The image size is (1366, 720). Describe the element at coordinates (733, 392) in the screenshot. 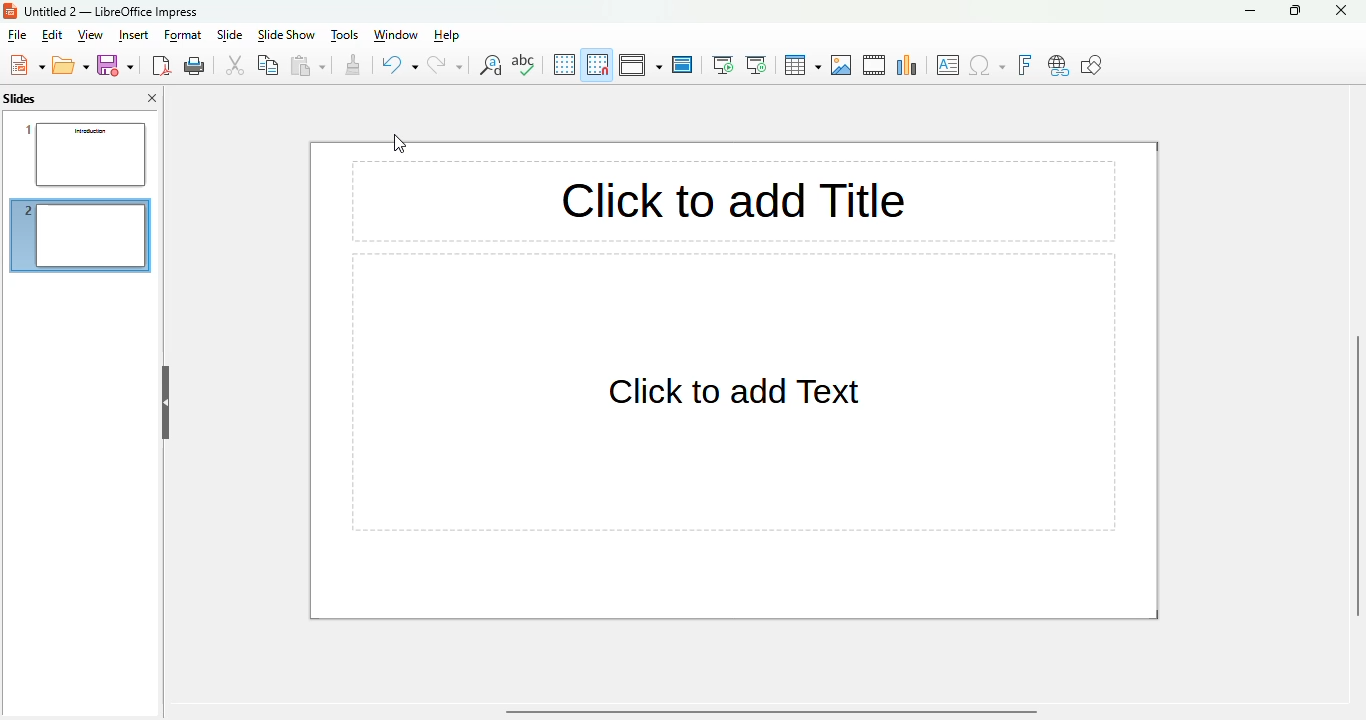

I see `click to add text` at that location.